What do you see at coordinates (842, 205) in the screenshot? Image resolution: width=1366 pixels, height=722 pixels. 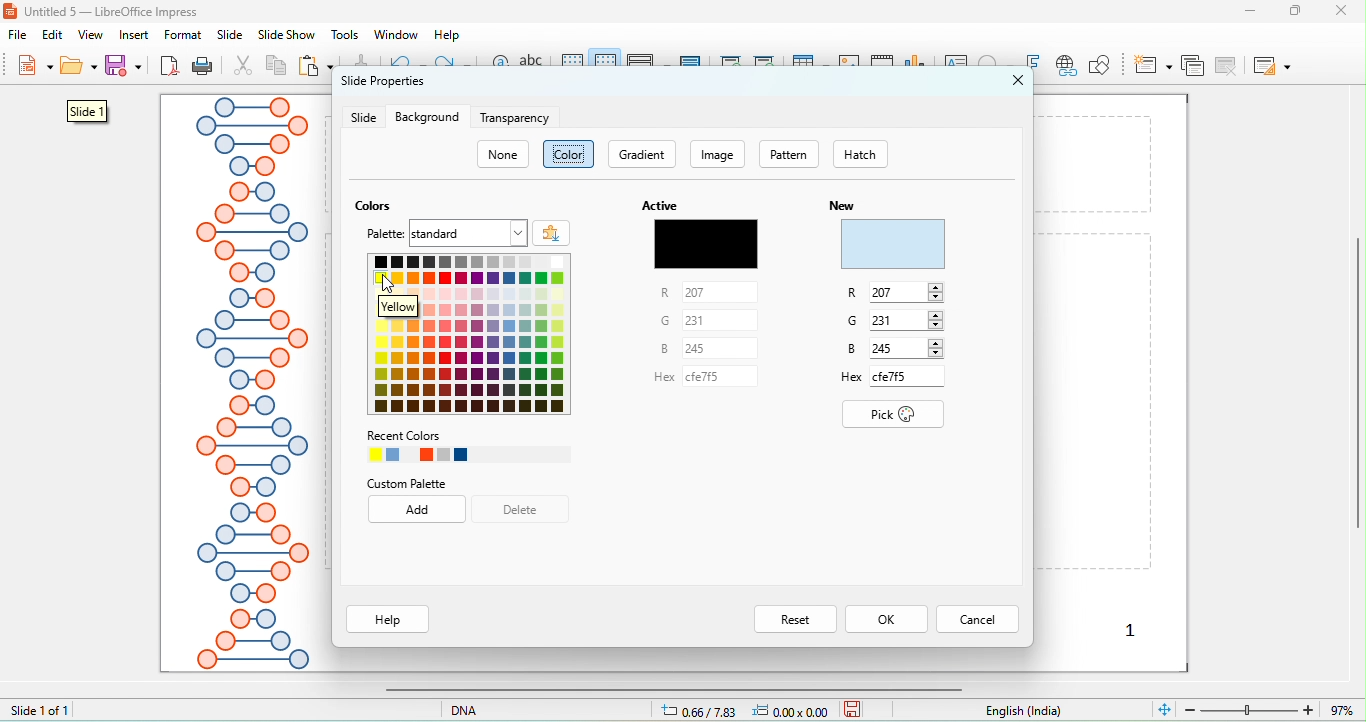 I see `New` at bounding box center [842, 205].